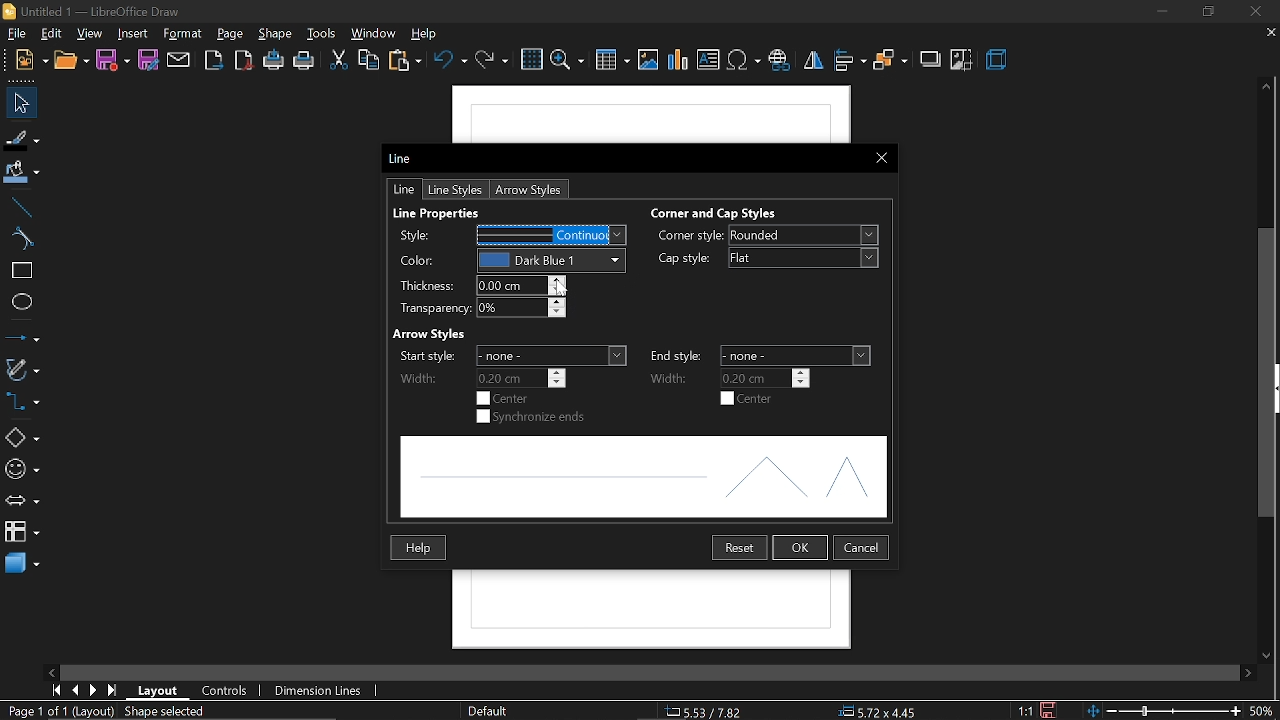 The height and width of the screenshot is (720, 1280). Describe the element at coordinates (406, 190) in the screenshot. I see `line` at that location.